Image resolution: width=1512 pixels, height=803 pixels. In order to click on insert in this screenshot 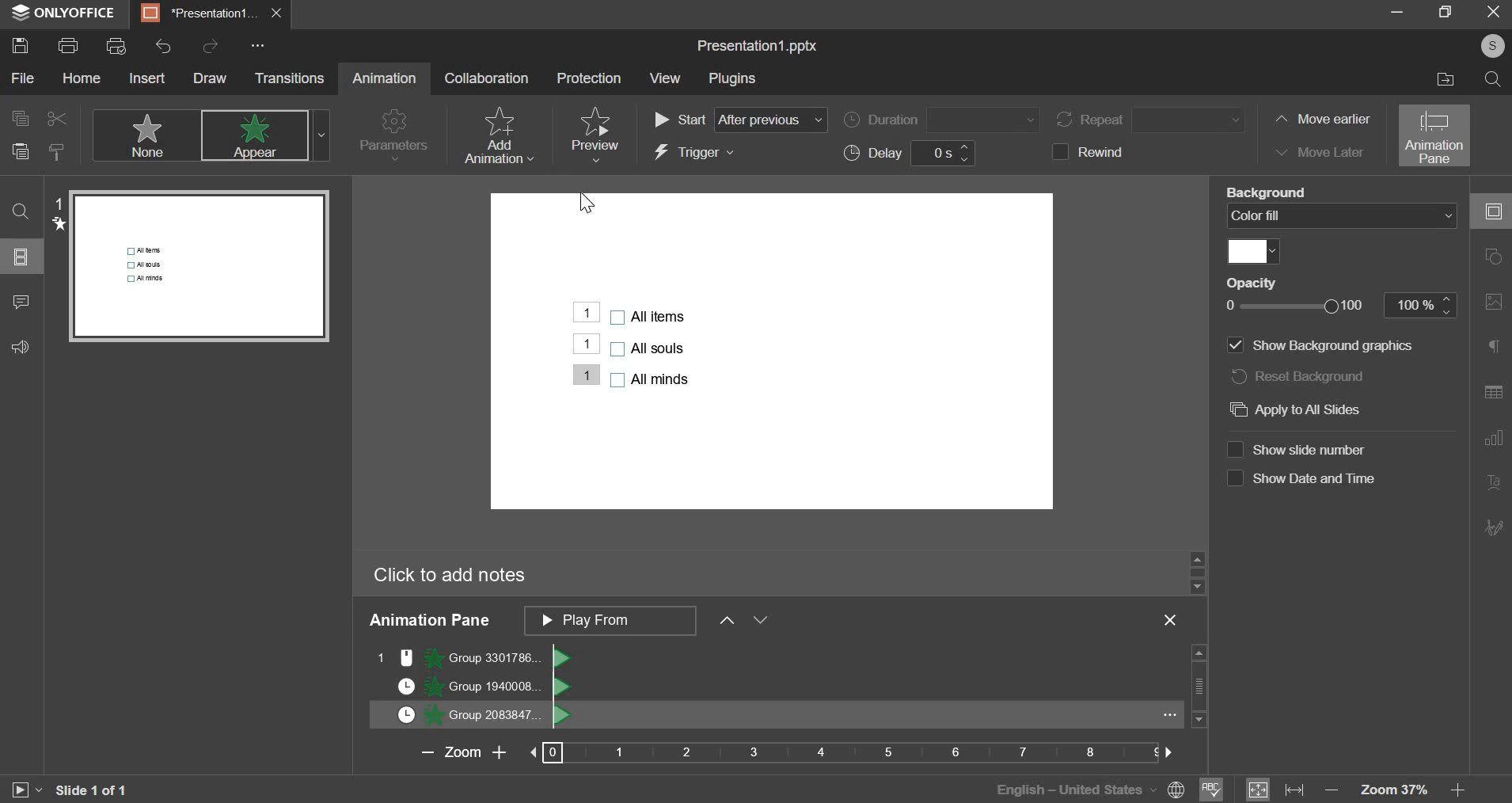, I will do `click(146, 78)`.